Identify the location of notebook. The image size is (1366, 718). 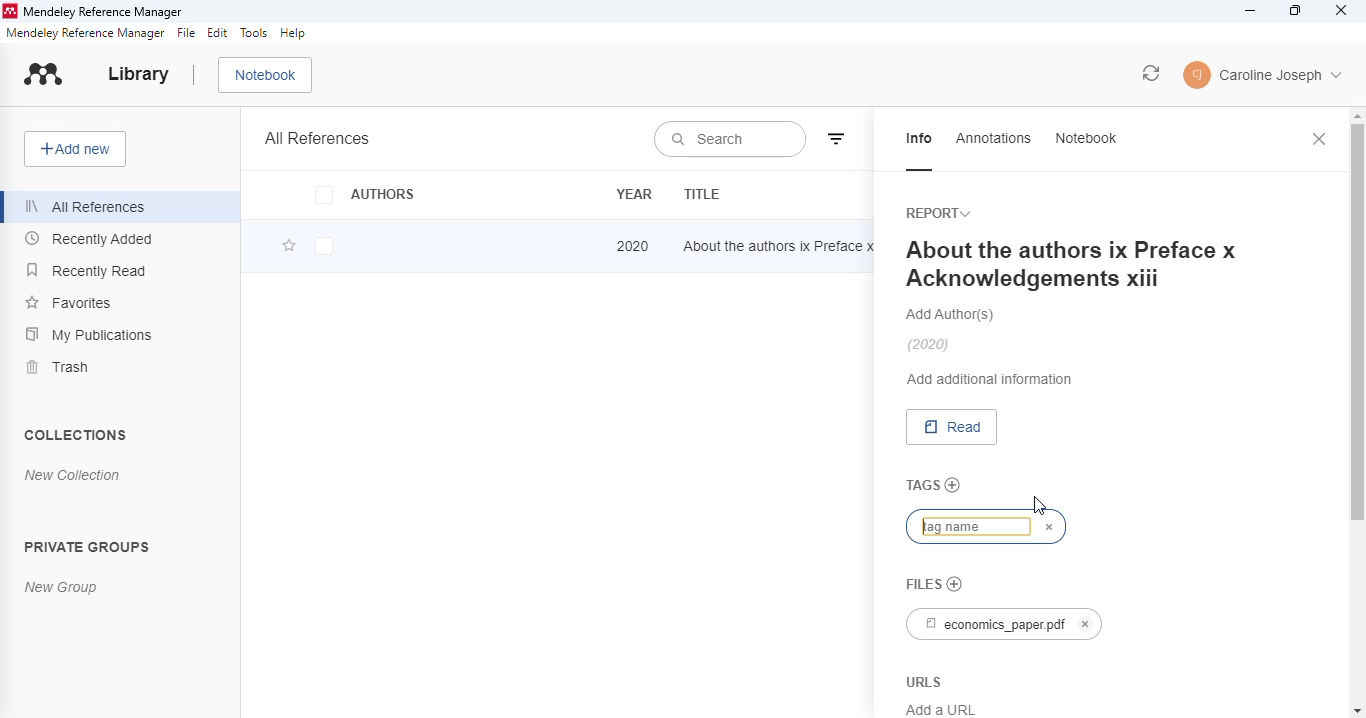
(1085, 137).